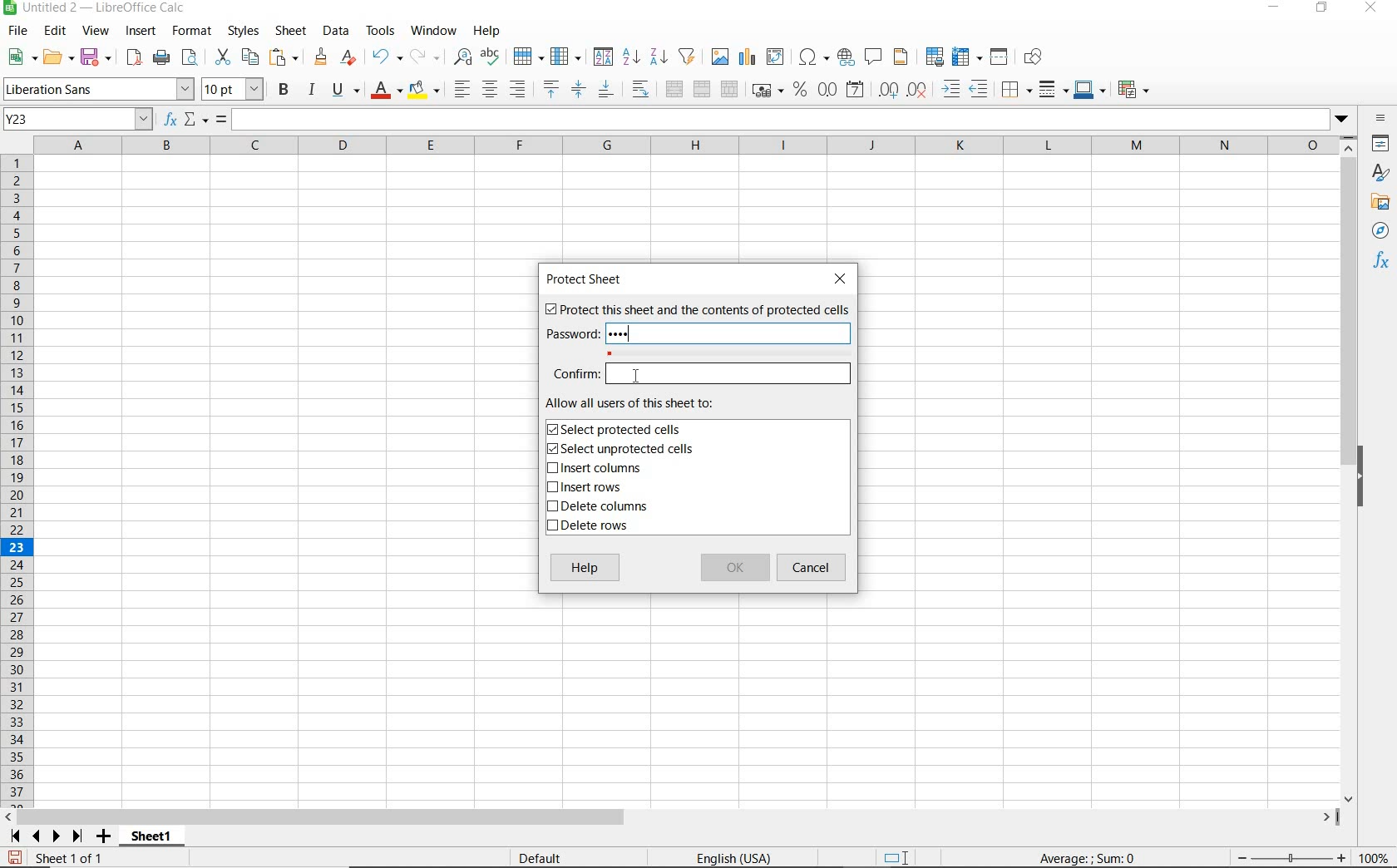  Describe the element at coordinates (568, 57) in the screenshot. I see `COLUMN` at that location.